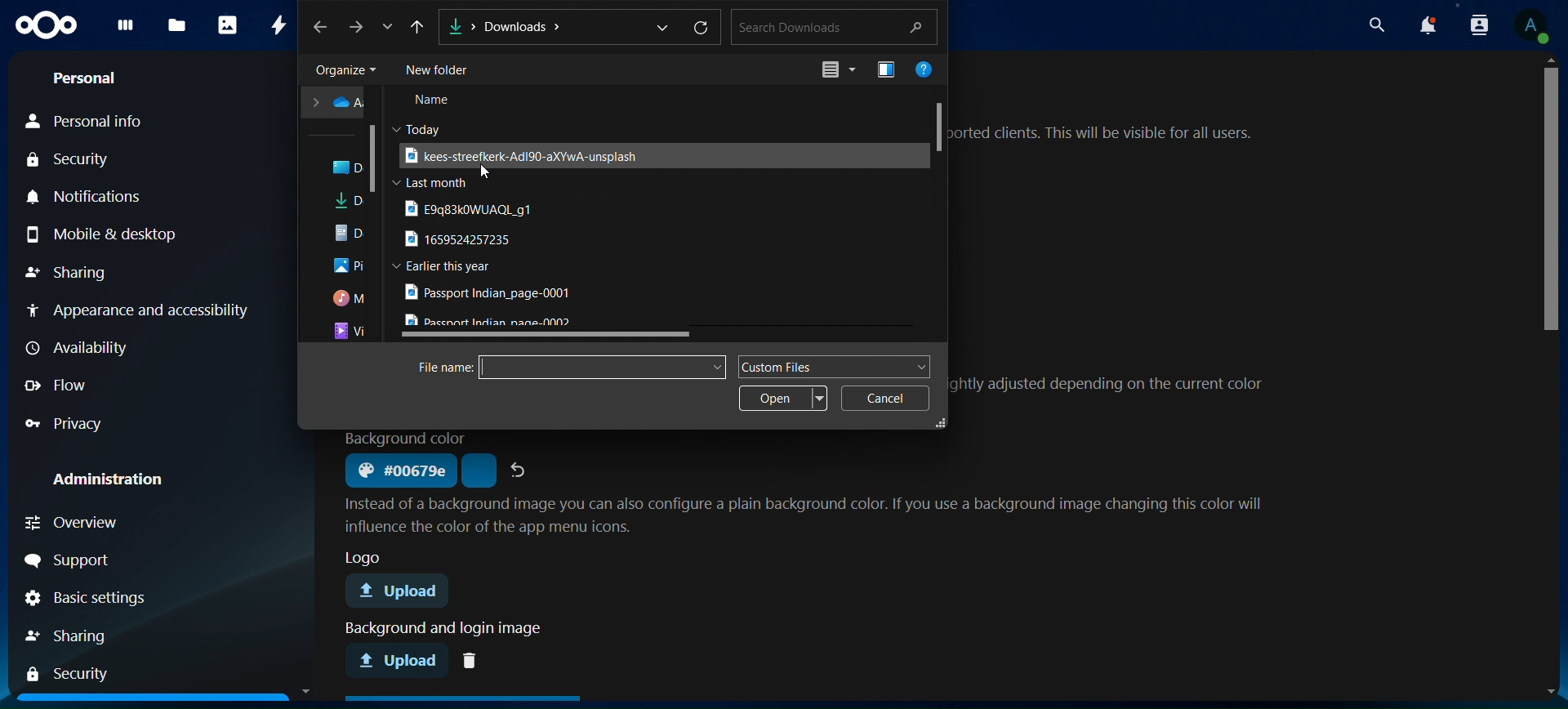  Describe the element at coordinates (407, 439) in the screenshot. I see `Background color` at that location.